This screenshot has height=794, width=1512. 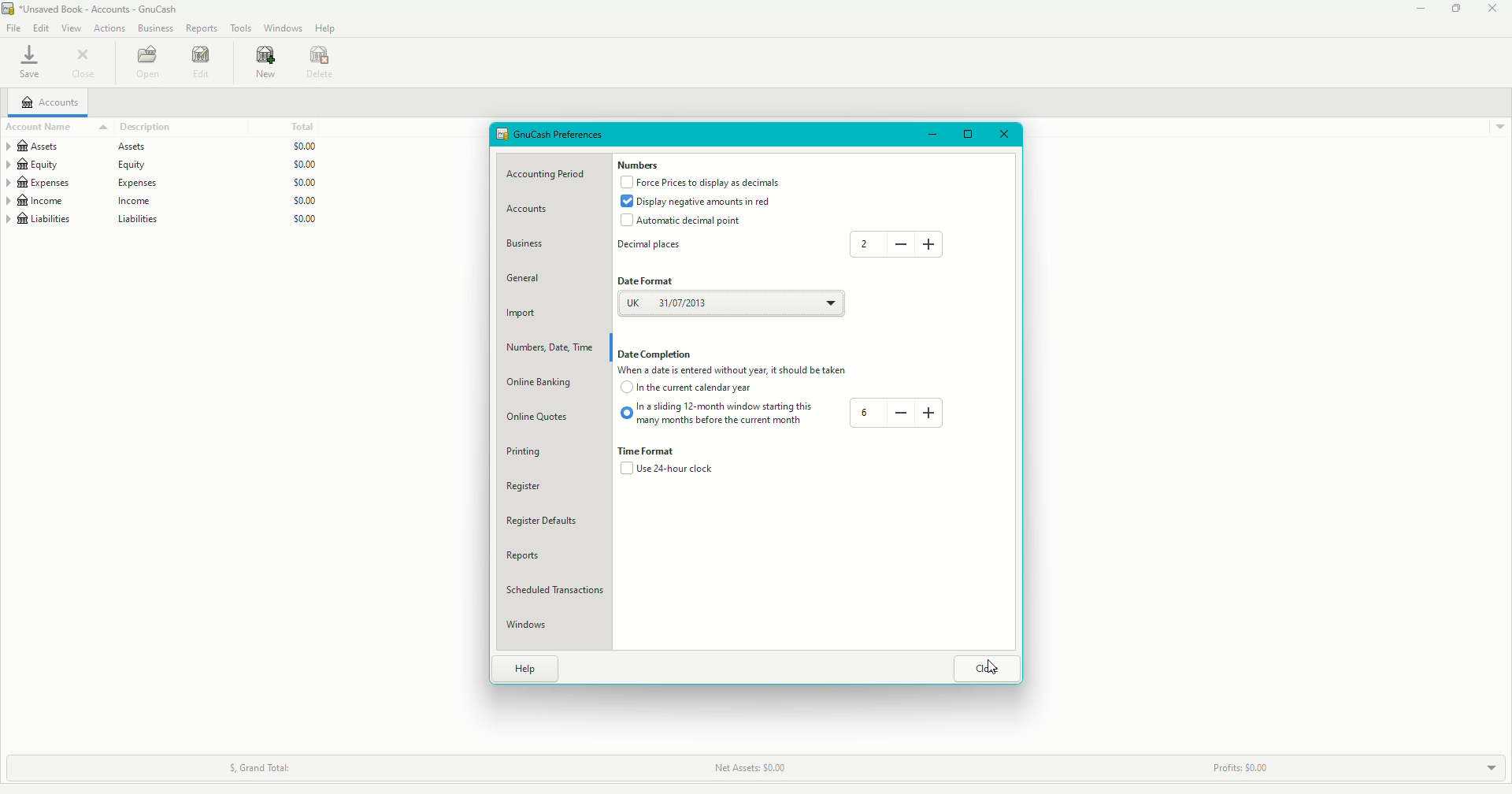 What do you see at coordinates (164, 183) in the screenshot?
I see `Expenses` at bounding box center [164, 183].